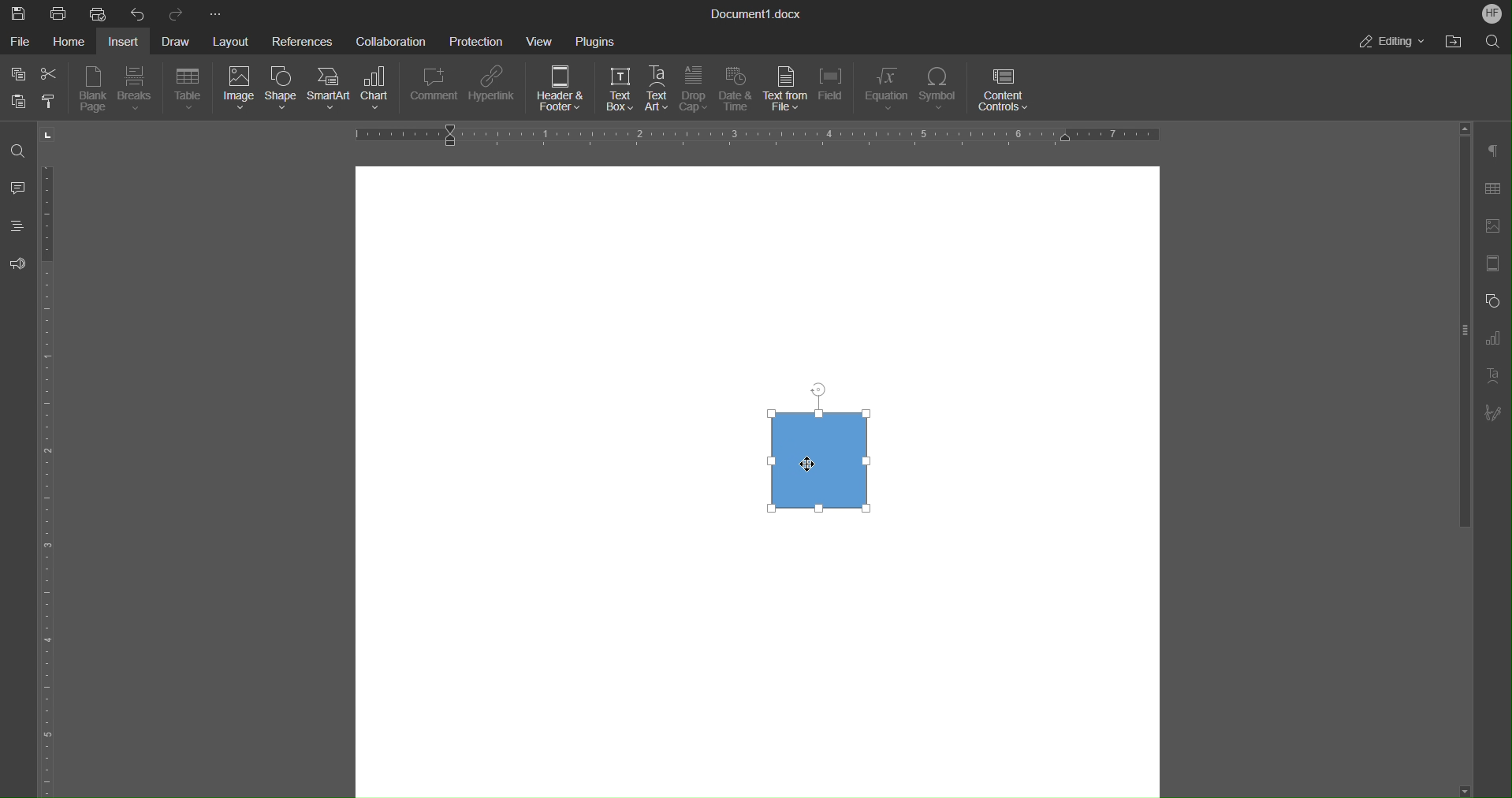  Describe the element at coordinates (614, 91) in the screenshot. I see `Text Box` at that location.